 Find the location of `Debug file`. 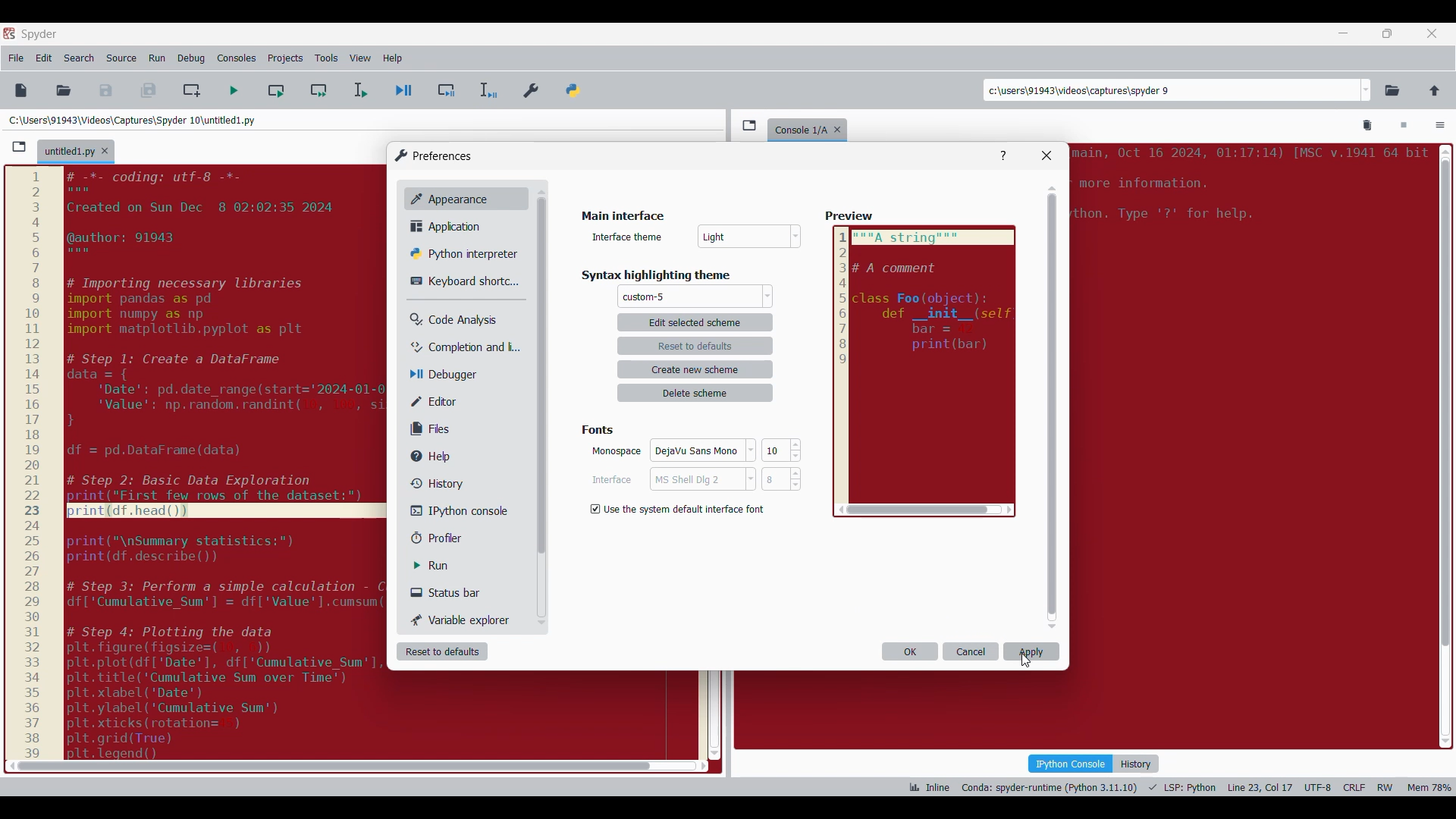

Debug file is located at coordinates (404, 91).